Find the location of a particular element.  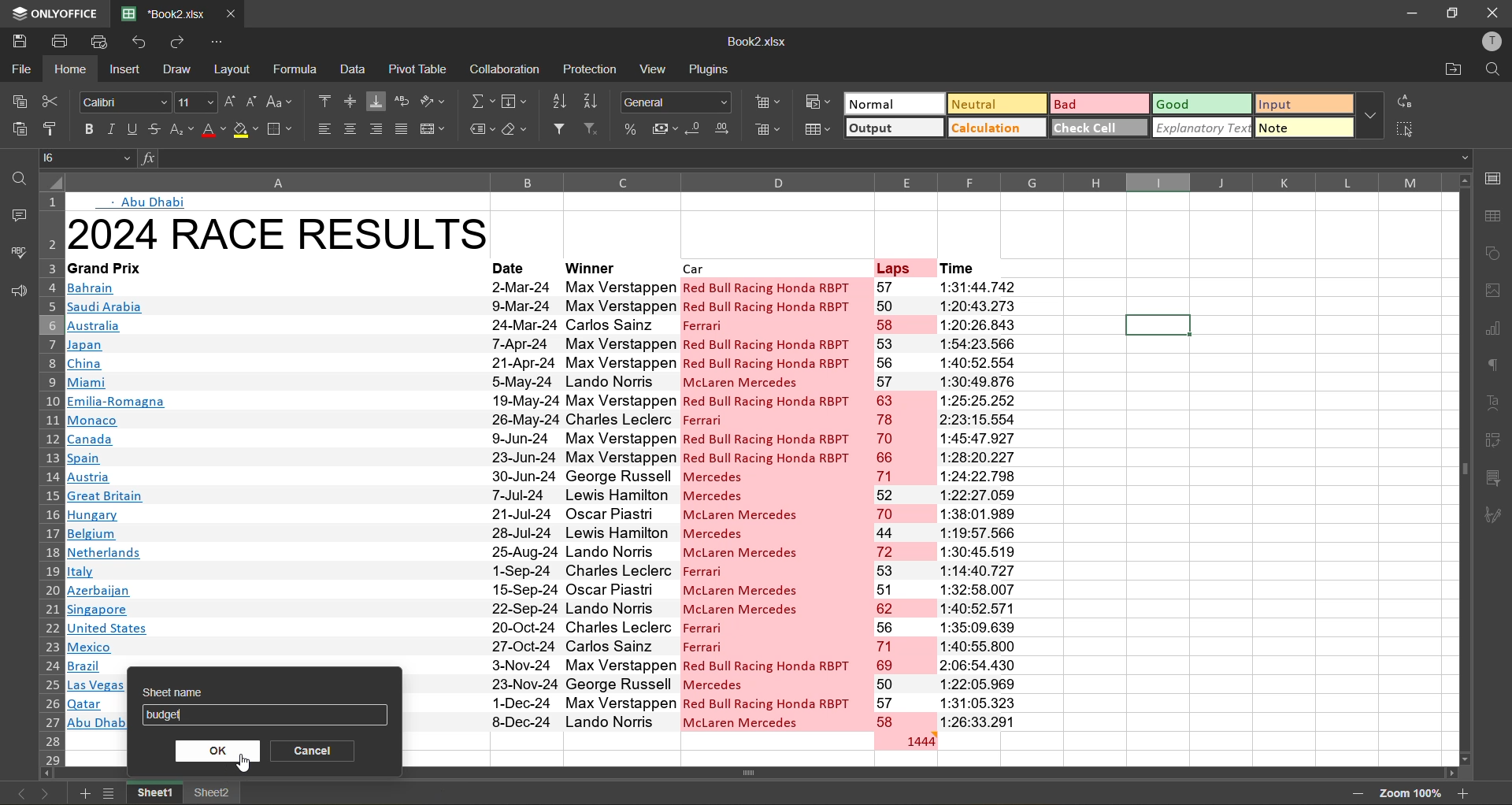

sub/superscript is located at coordinates (180, 131).